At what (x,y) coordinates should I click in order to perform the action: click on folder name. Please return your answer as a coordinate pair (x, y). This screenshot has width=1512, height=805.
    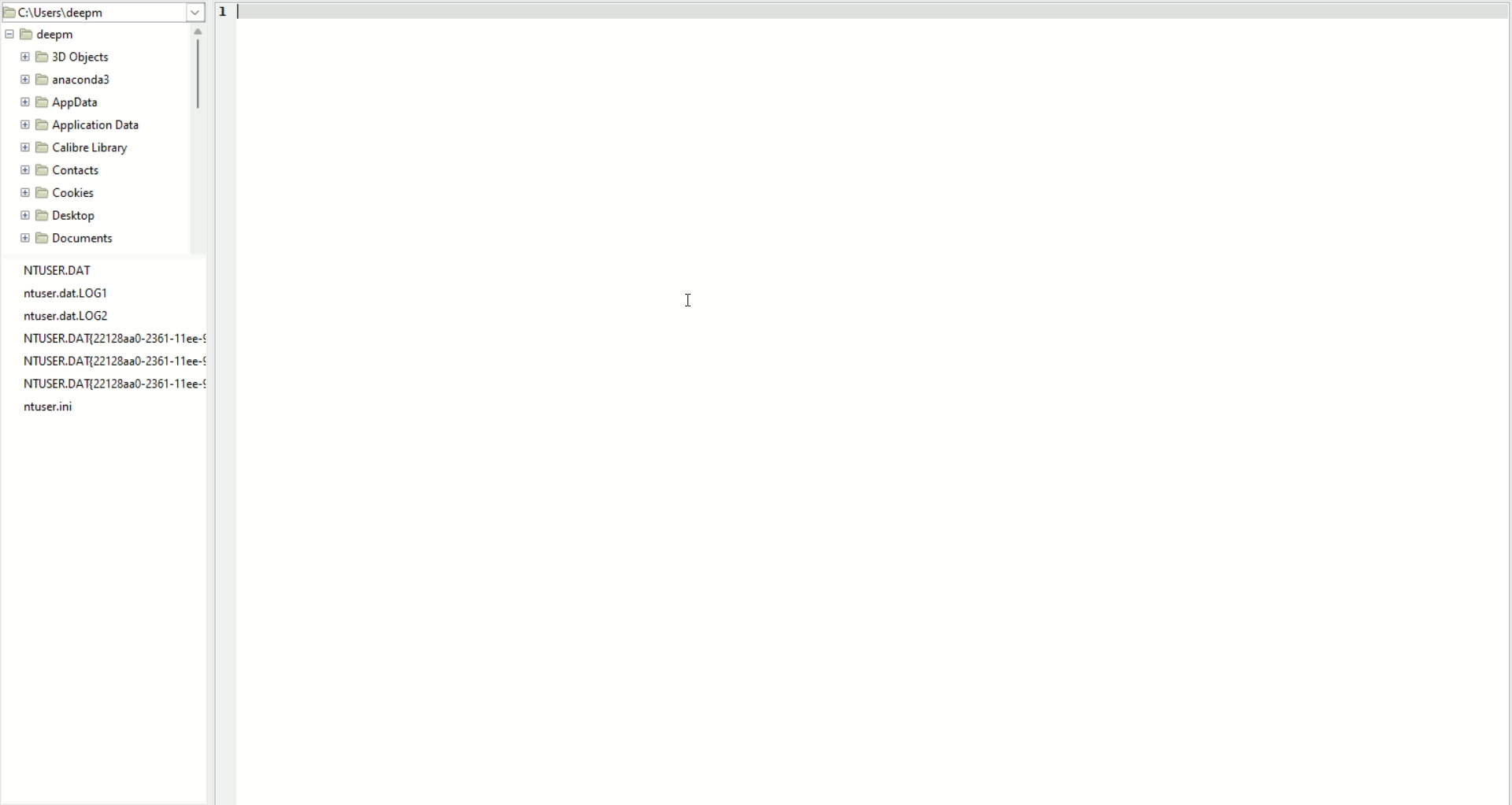
    Looking at the image, I should click on (60, 169).